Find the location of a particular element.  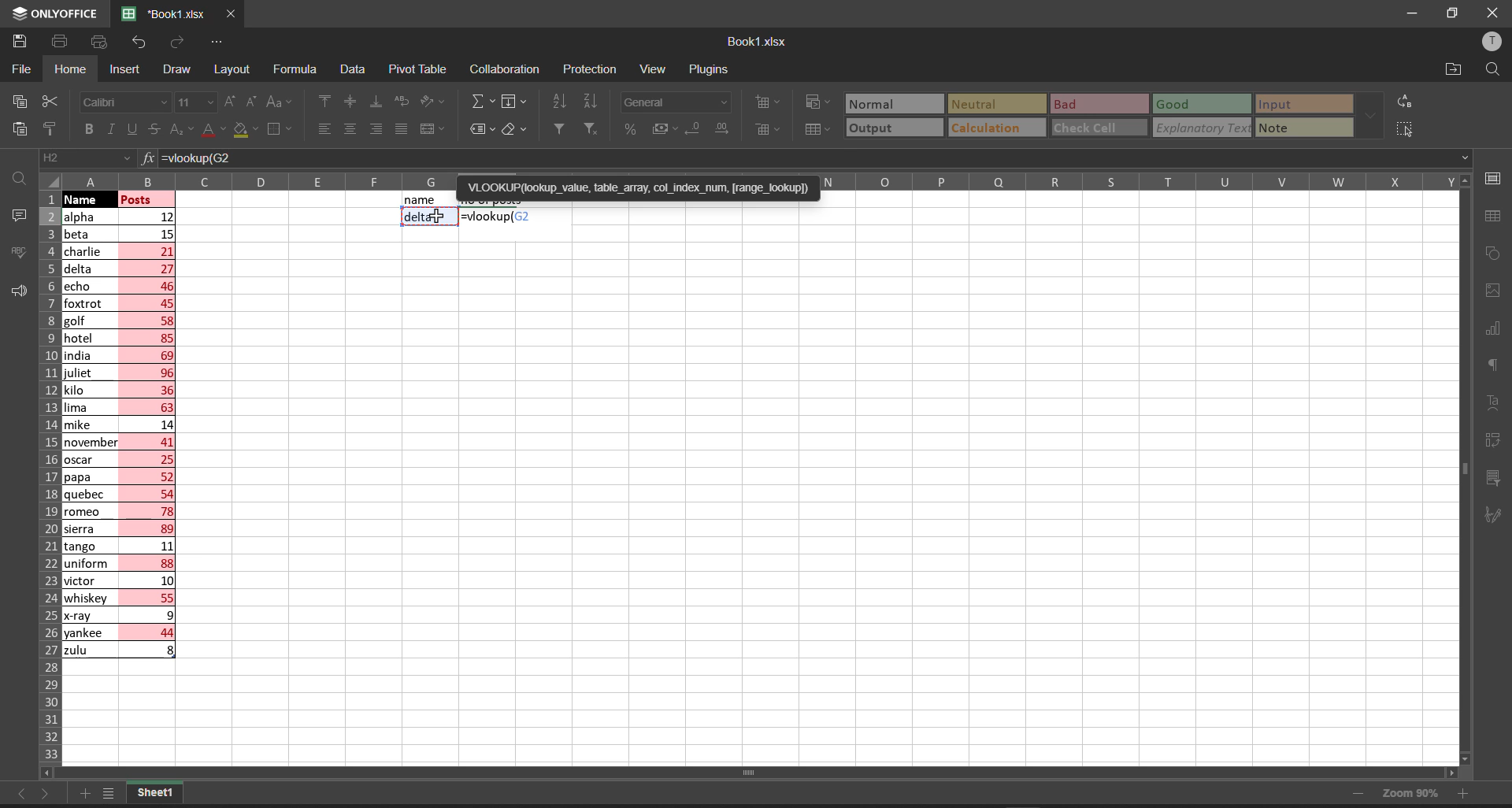

names is located at coordinates (87, 433).